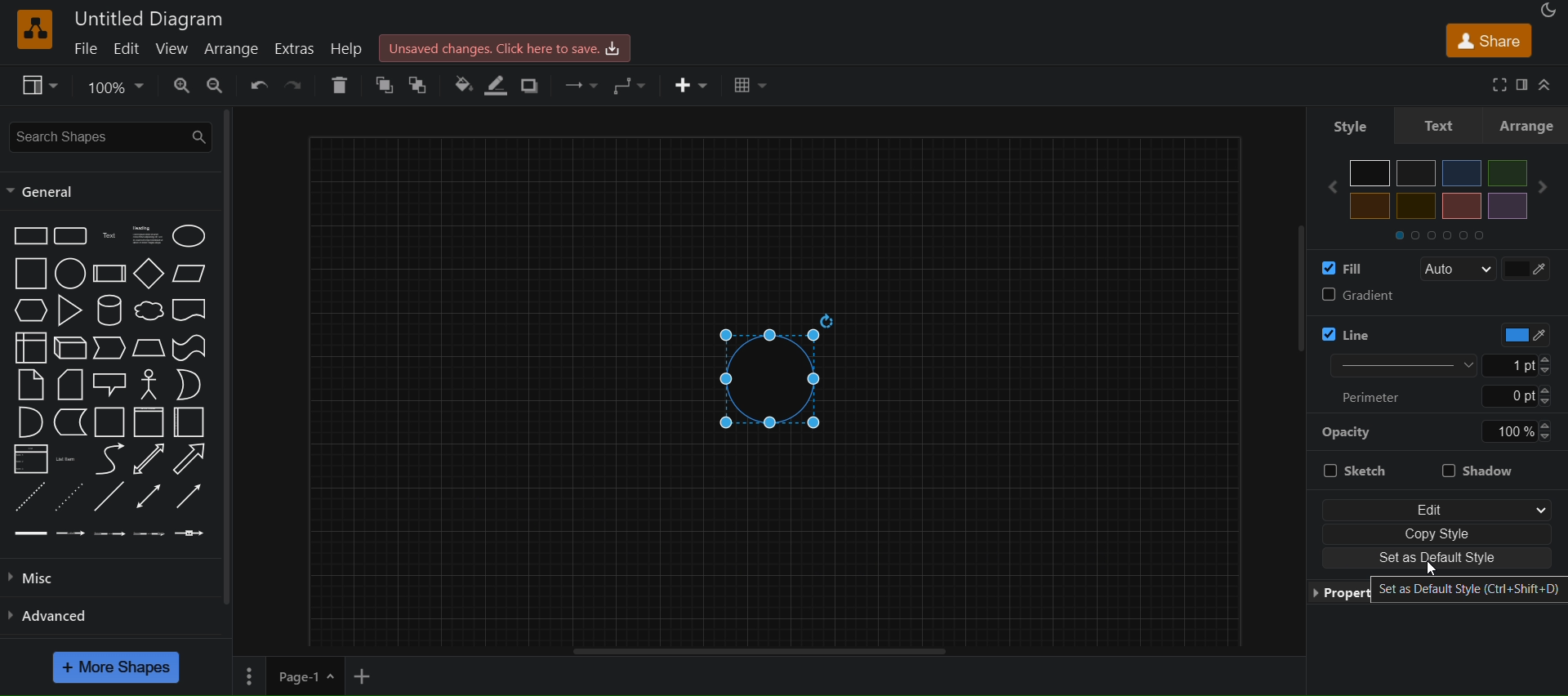 This screenshot has height=696, width=1568. I want to click on process, so click(109, 274).